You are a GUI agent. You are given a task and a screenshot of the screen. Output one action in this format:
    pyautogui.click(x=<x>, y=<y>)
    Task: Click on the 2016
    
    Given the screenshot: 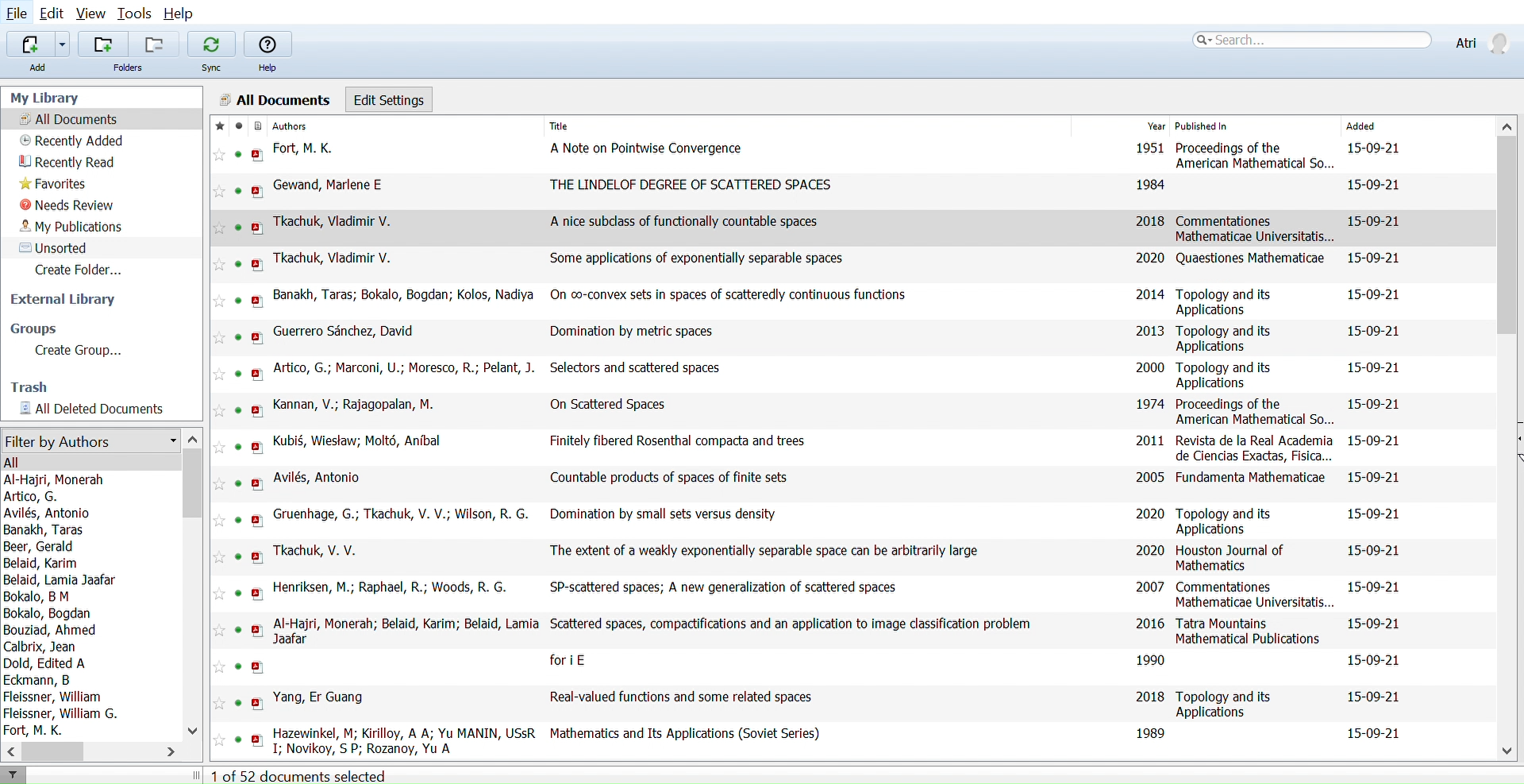 What is the action you would take?
    pyautogui.click(x=1151, y=623)
    